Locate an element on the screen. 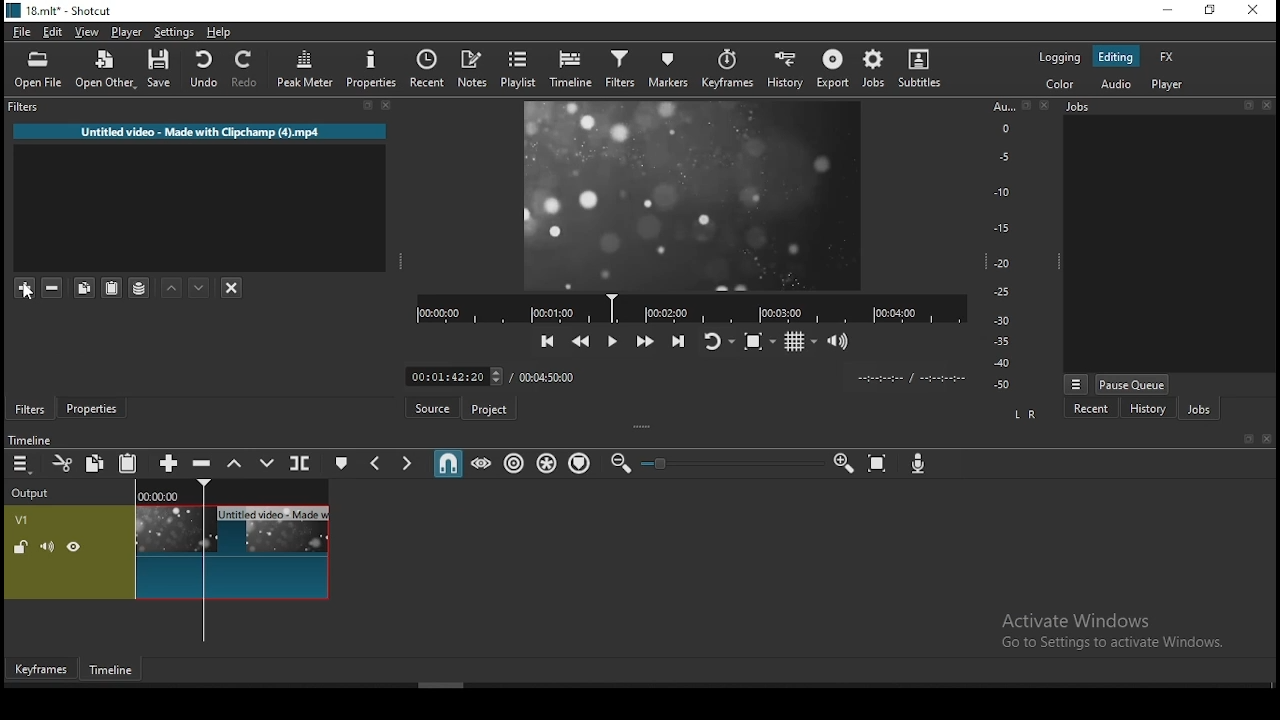 The width and height of the screenshot is (1280, 720). subtitles is located at coordinates (920, 69).